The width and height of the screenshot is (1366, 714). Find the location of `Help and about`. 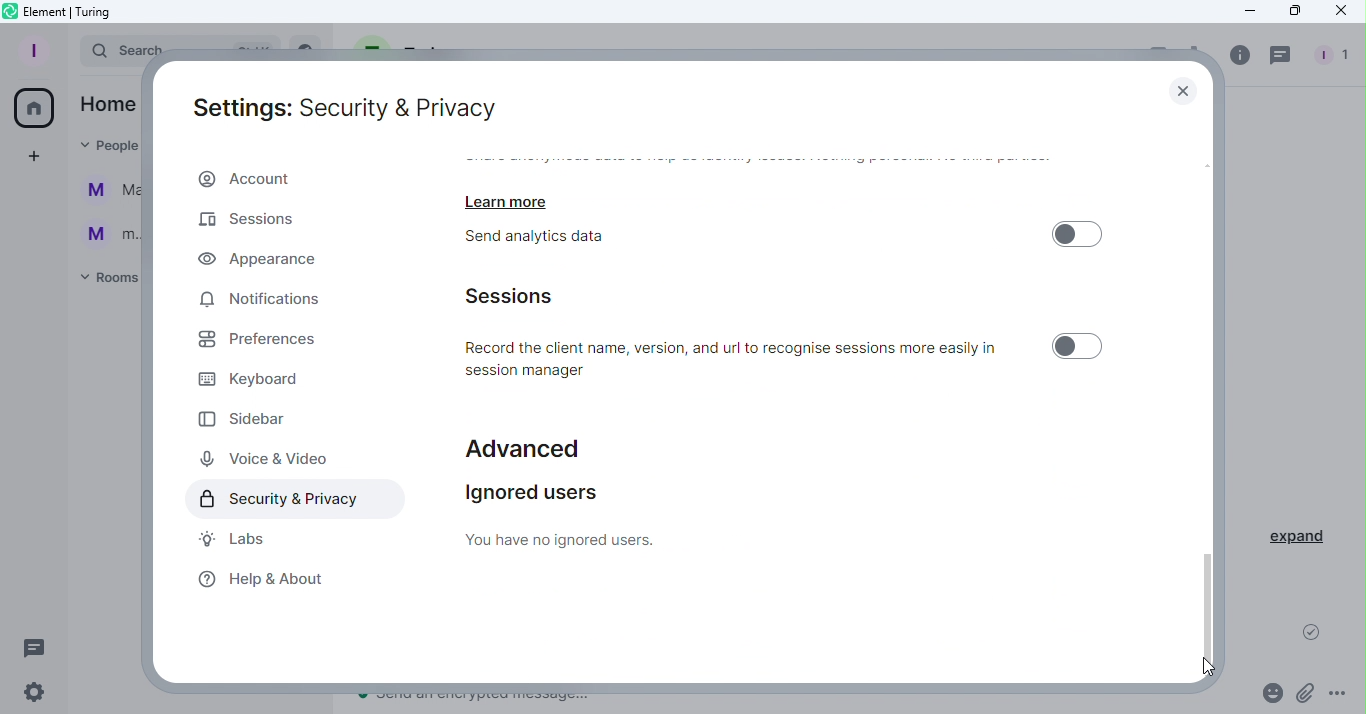

Help and about is located at coordinates (265, 582).